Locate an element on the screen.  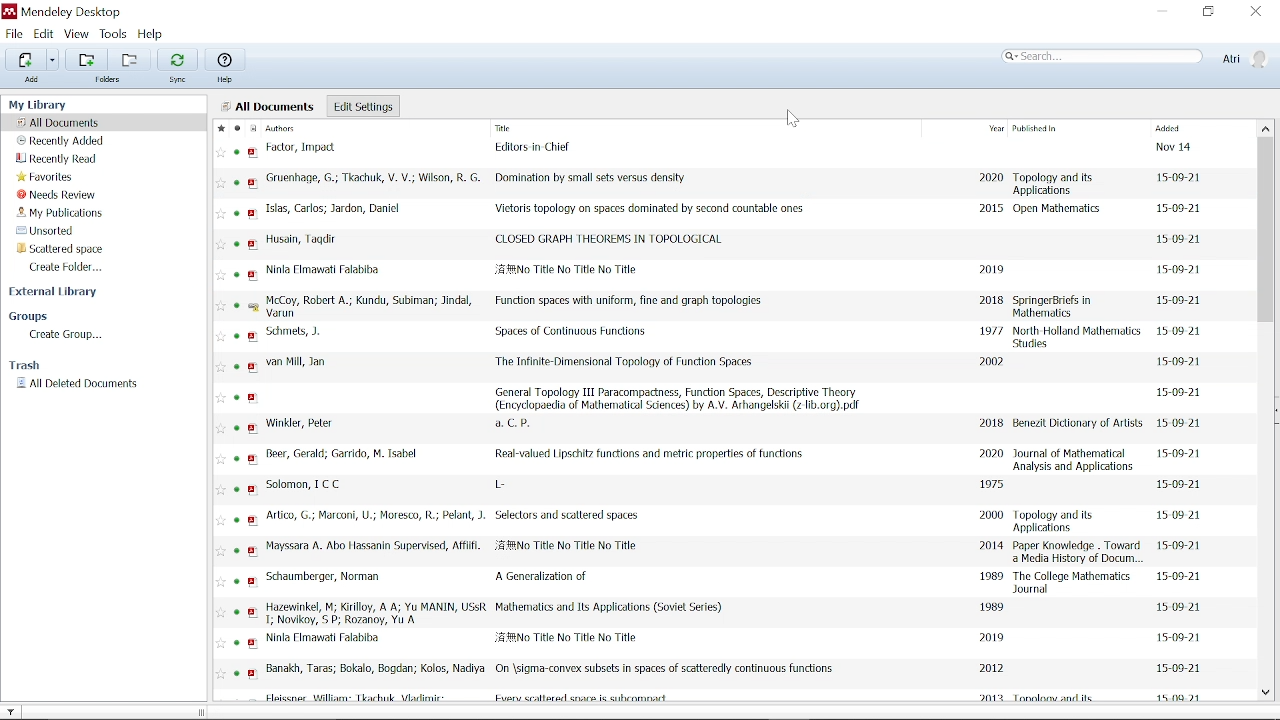
Add folders is located at coordinates (83, 60).